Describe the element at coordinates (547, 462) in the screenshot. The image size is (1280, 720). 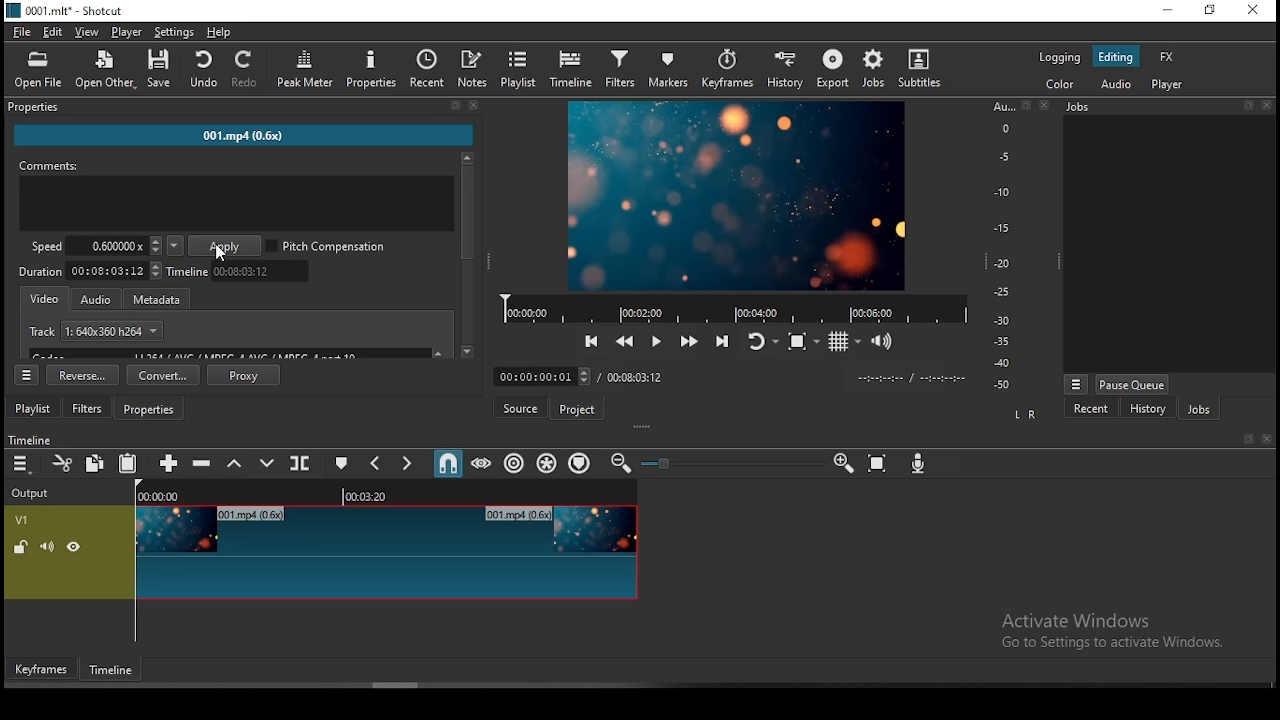
I see `ripple all tracks` at that location.